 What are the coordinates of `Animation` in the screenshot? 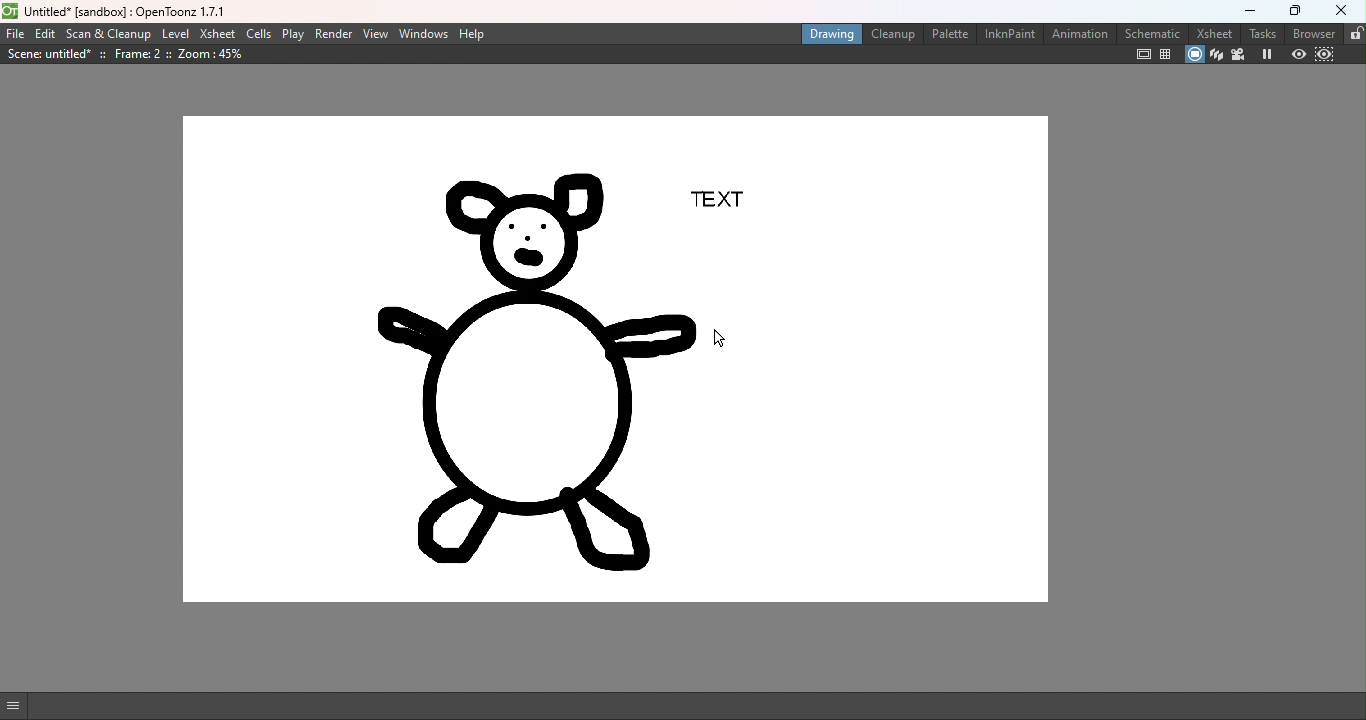 It's located at (1084, 34).